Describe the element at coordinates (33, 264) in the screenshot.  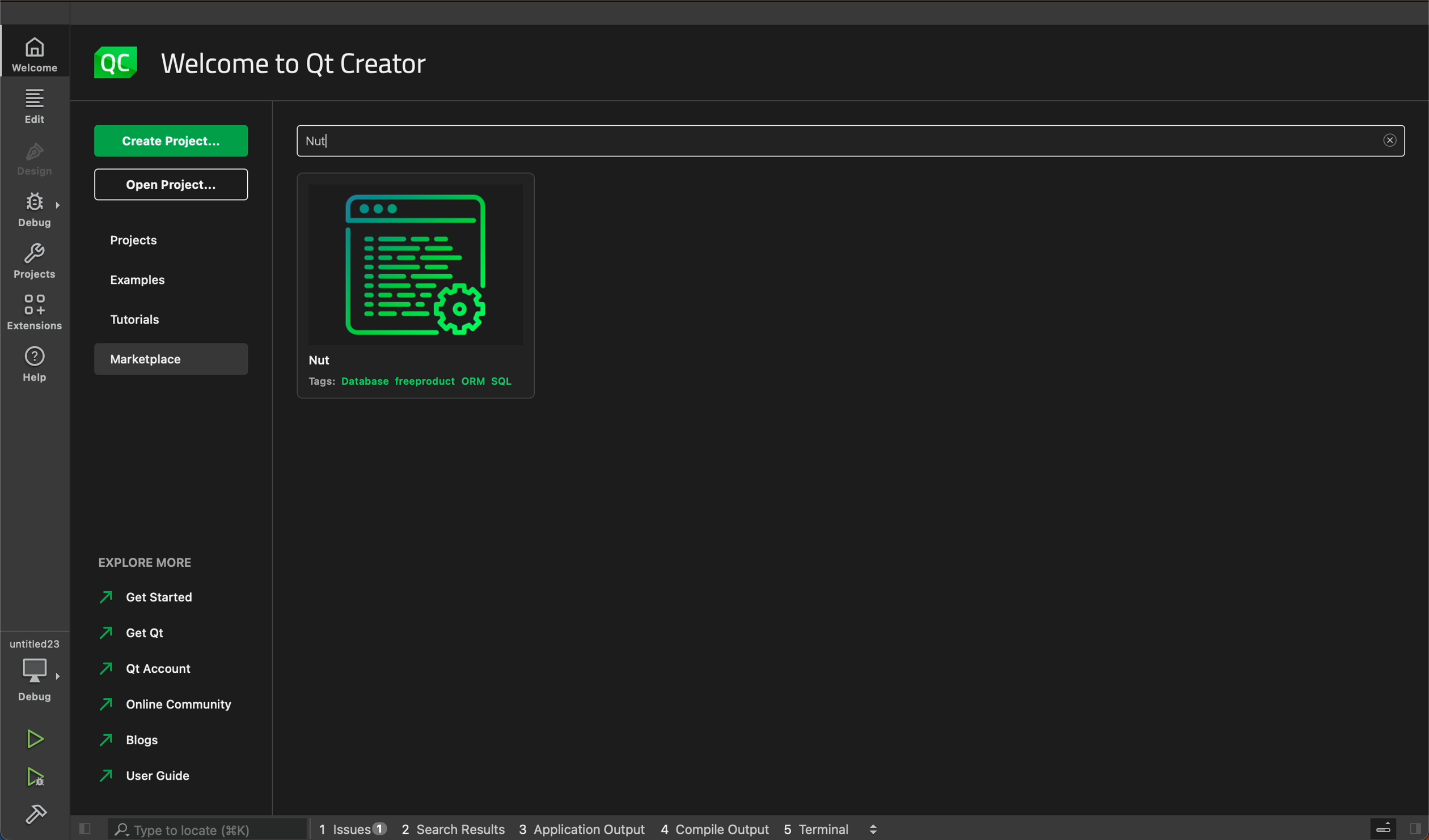
I see `projects` at that location.